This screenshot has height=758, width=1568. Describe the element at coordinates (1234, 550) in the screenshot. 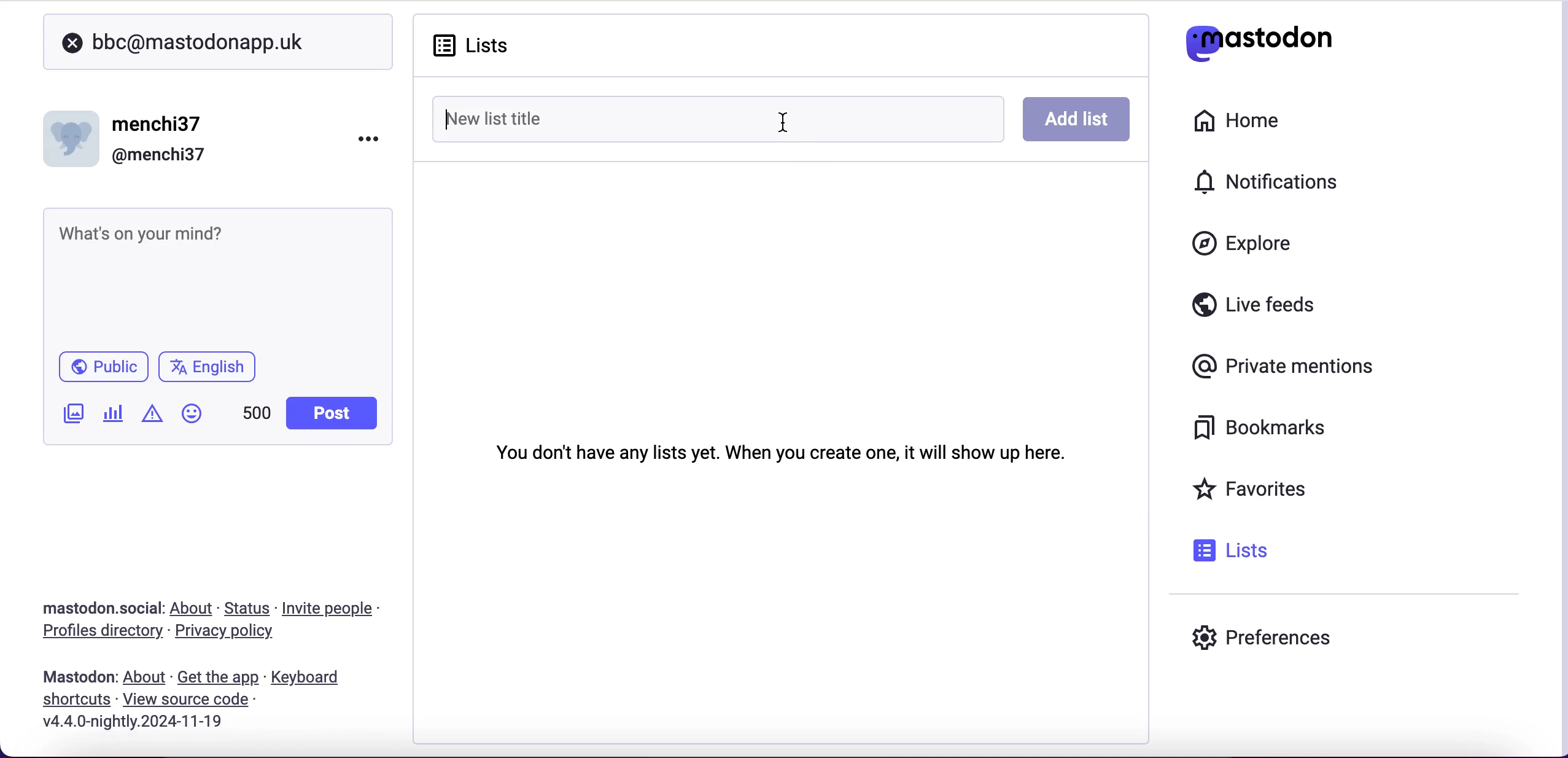

I see `lists` at that location.